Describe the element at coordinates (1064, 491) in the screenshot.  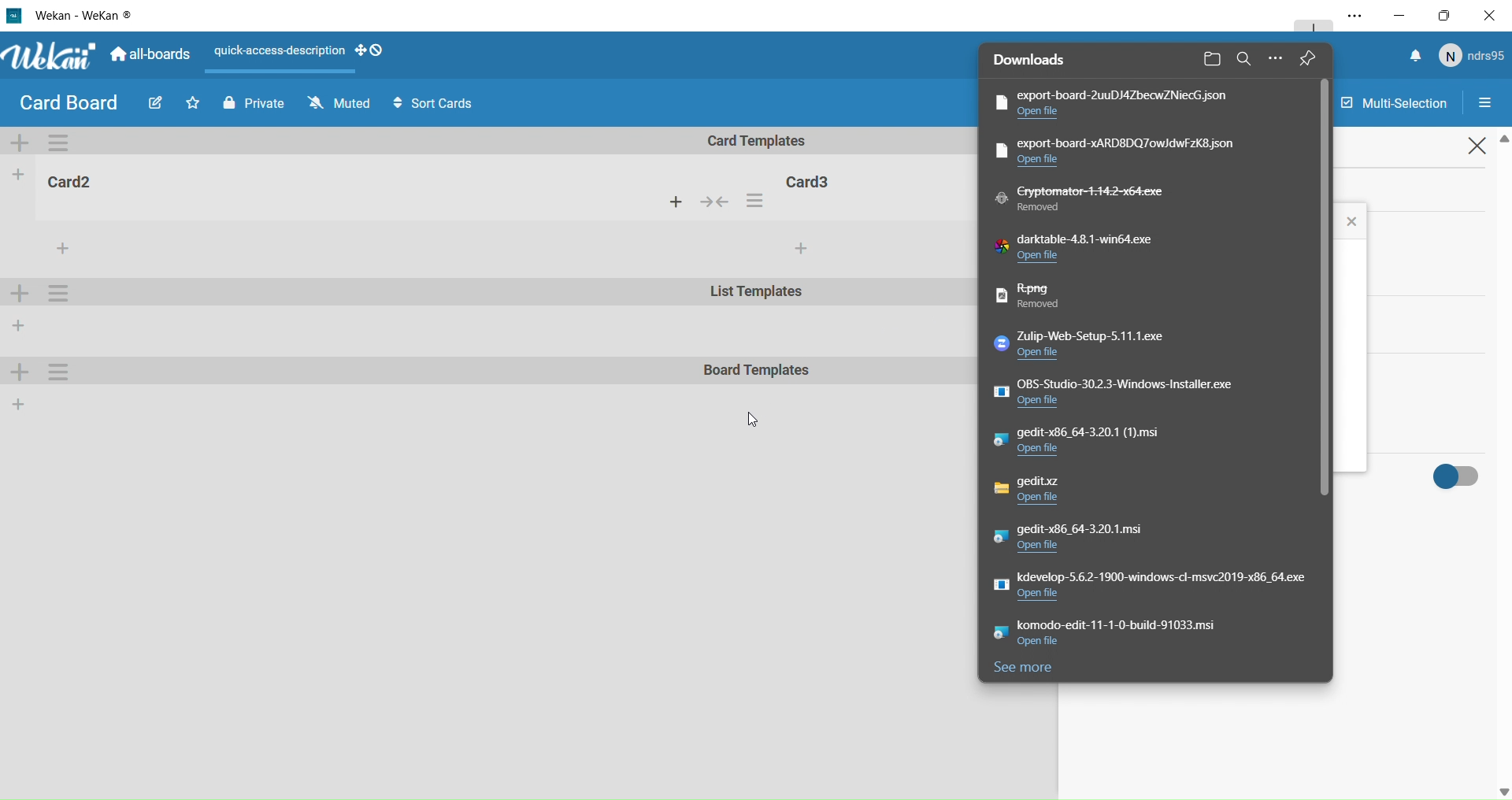
I see `downloaded file` at that location.